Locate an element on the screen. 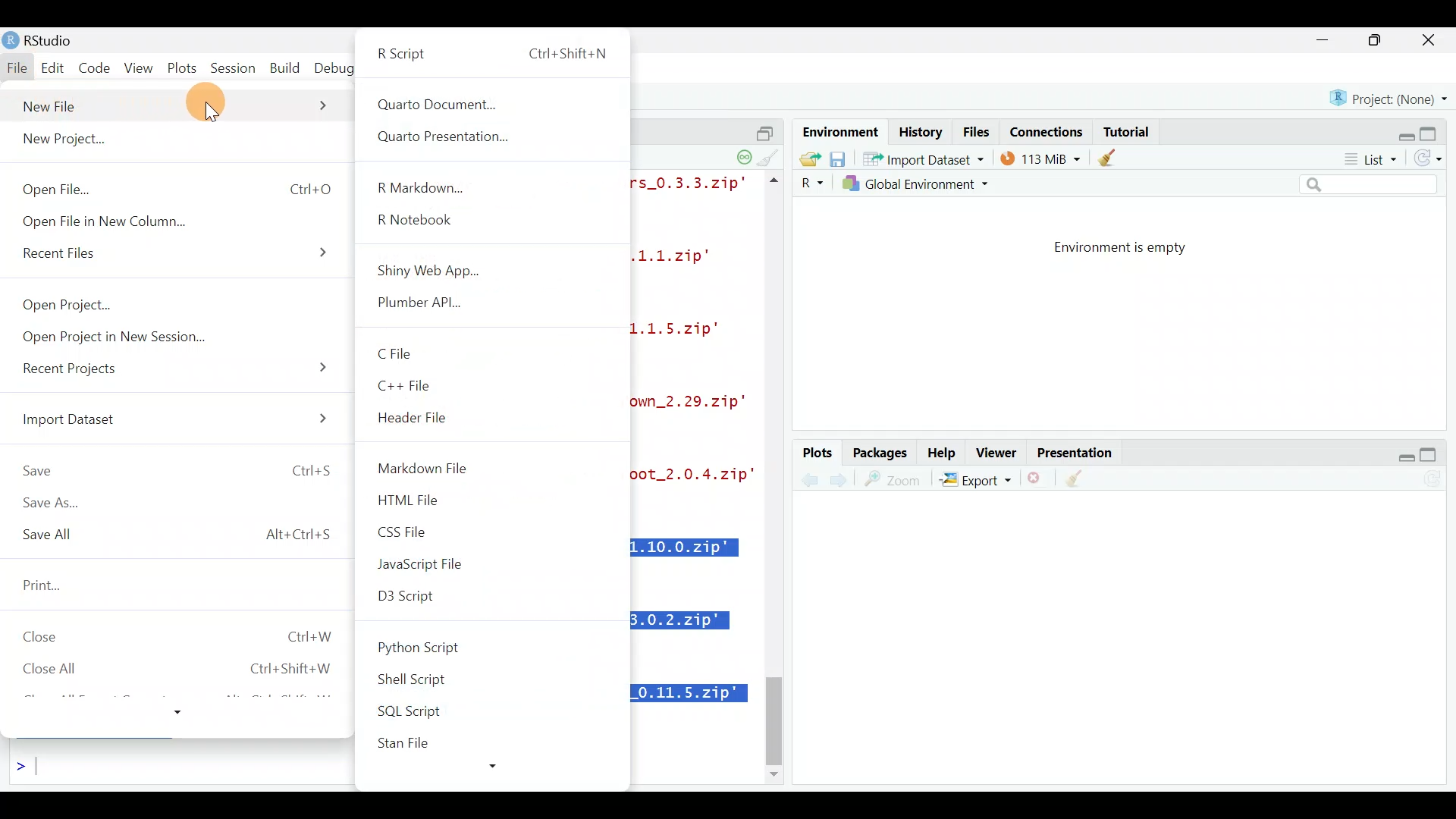 The width and height of the screenshot is (1456, 819). next plot is located at coordinates (809, 480).